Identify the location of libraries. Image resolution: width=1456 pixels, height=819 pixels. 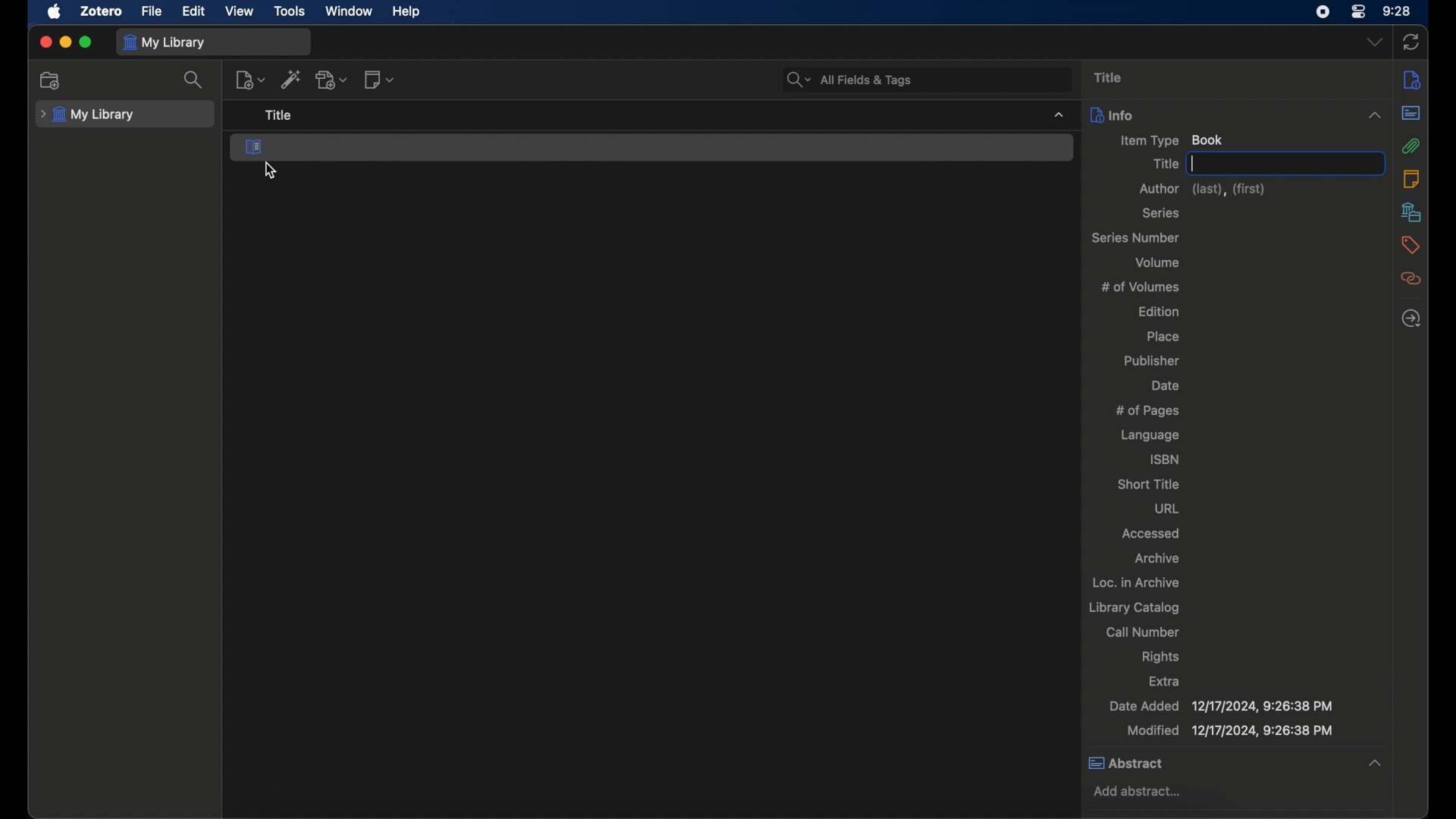
(1410, 212).